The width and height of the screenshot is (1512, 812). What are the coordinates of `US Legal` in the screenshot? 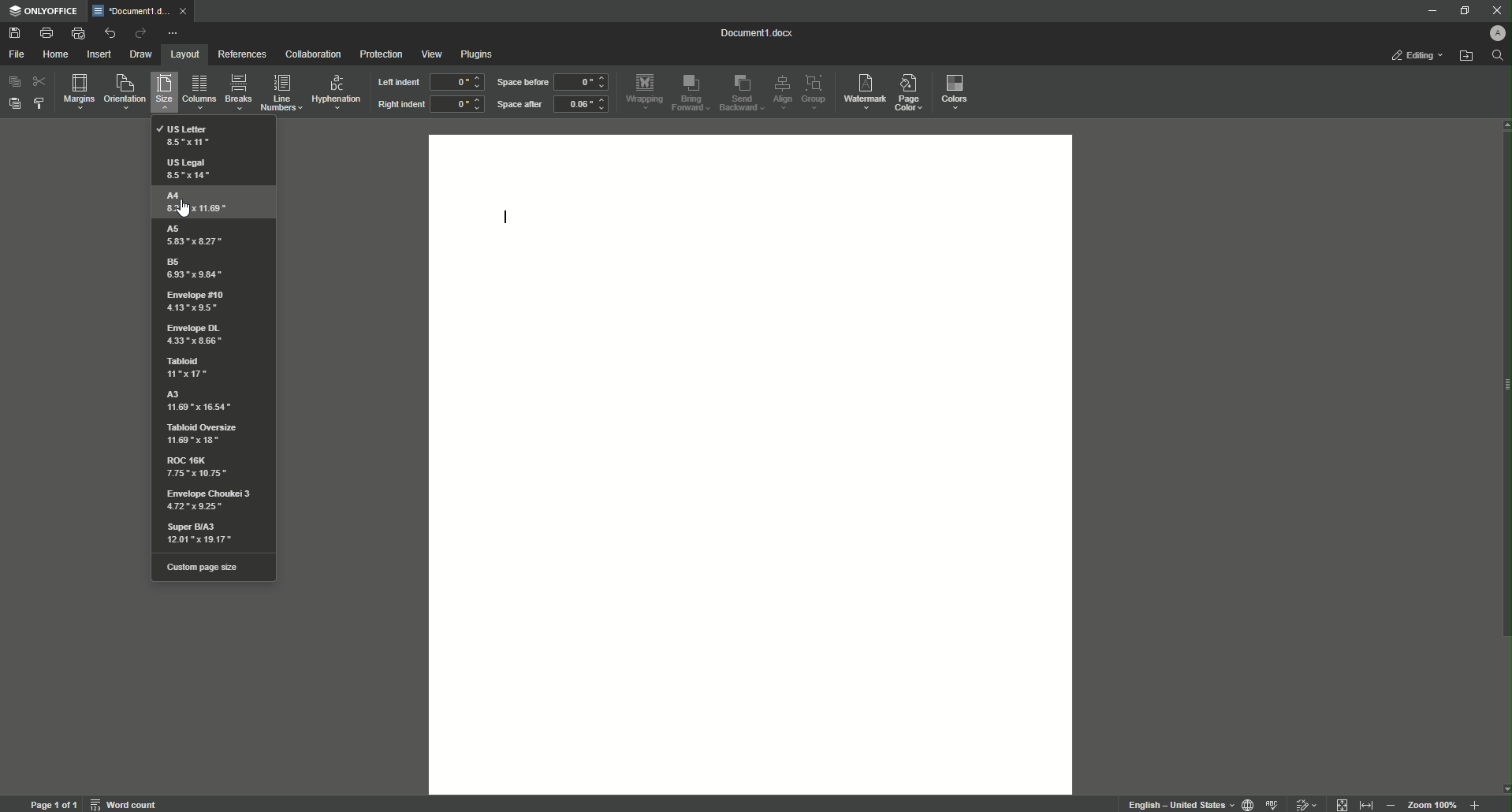 It's located at (189, 168).